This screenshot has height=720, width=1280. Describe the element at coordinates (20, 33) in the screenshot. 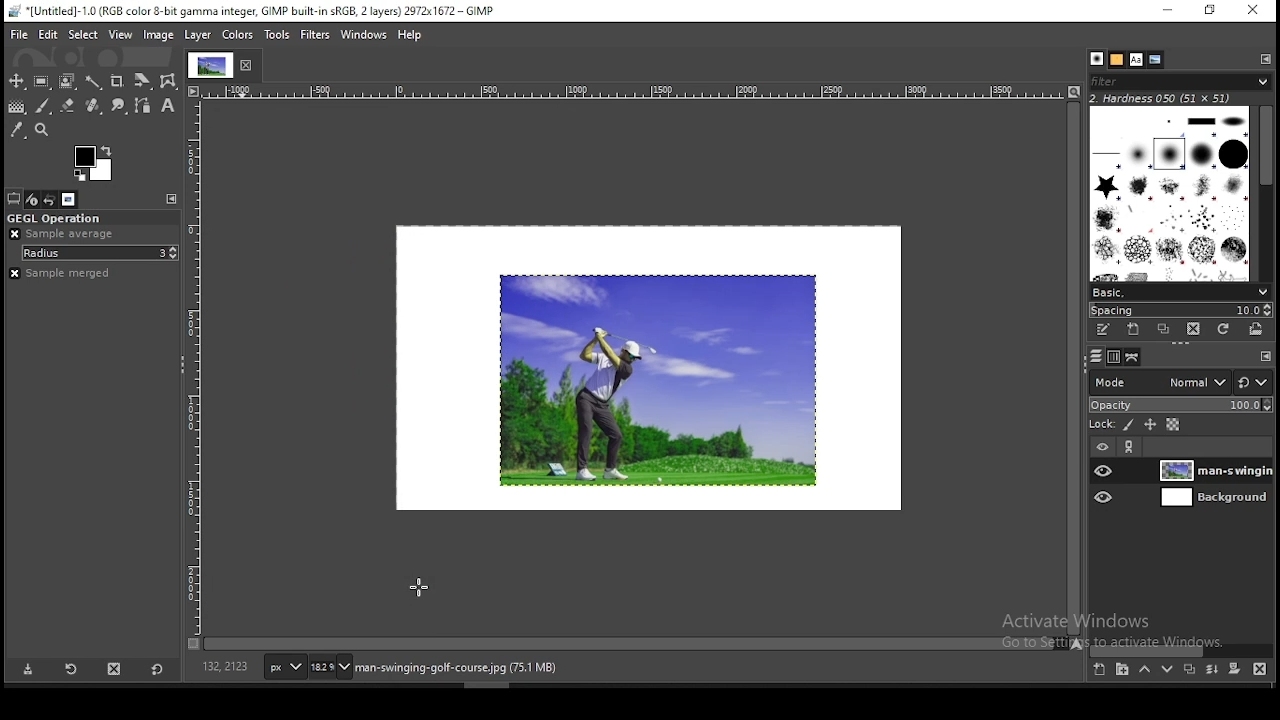

I see `file` at that location.